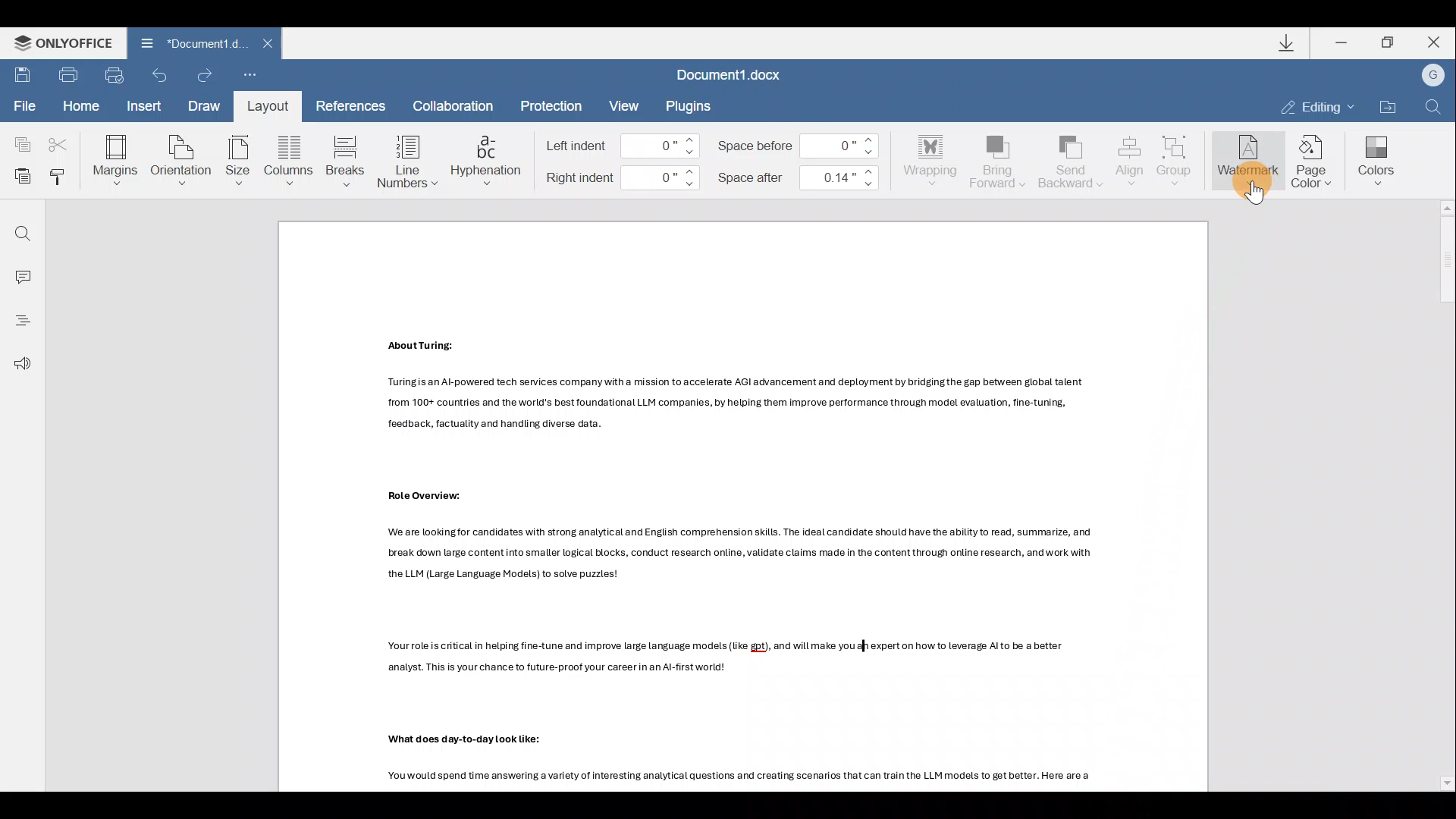 This screenshot has width=1456, height=819. What do you see at coordinates (1316, 164) in the screenshot?
I see `Page color` at bounding box center [1316, 164].